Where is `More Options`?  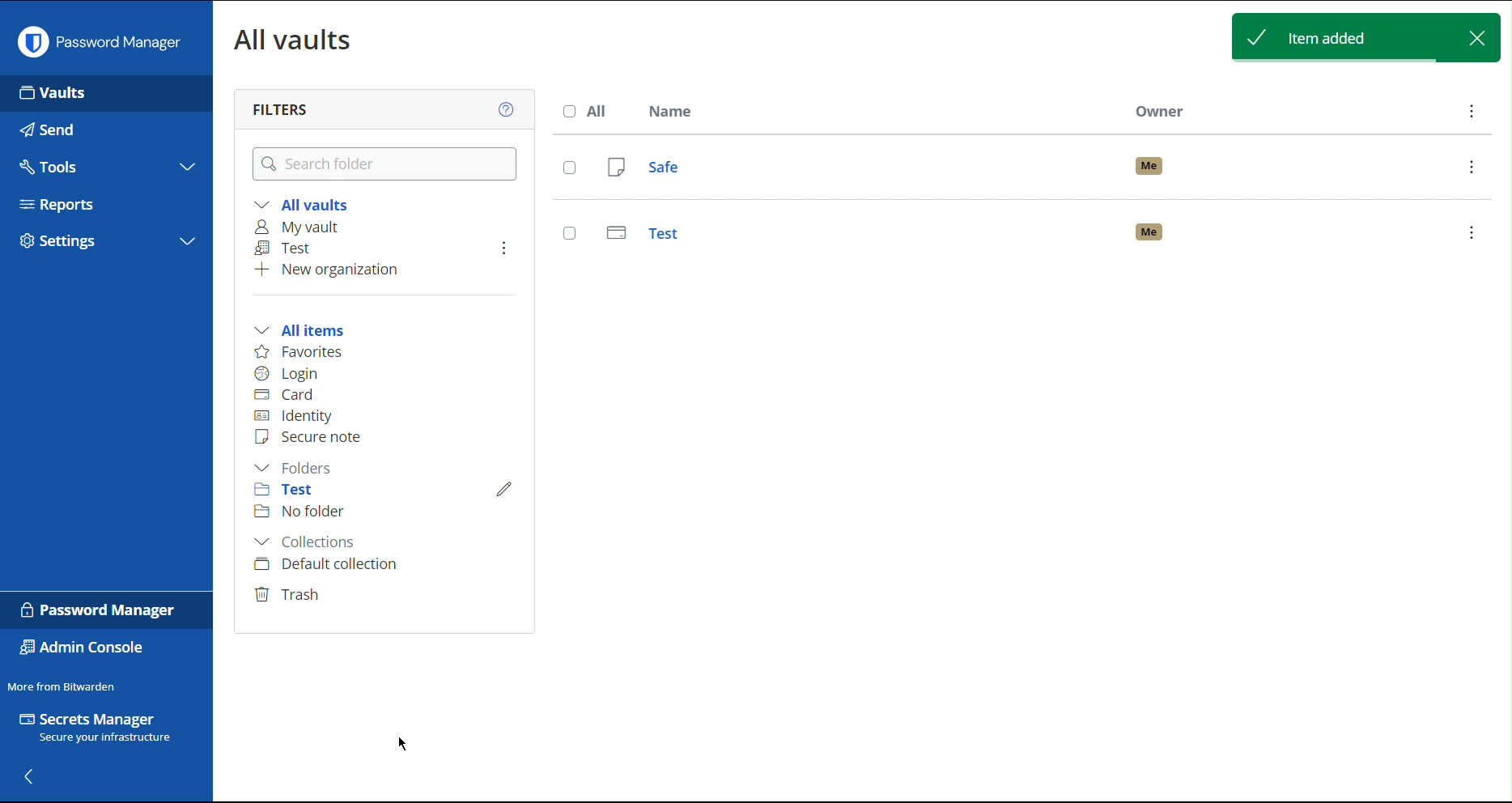
More Options is located at coordinates (501, 247).